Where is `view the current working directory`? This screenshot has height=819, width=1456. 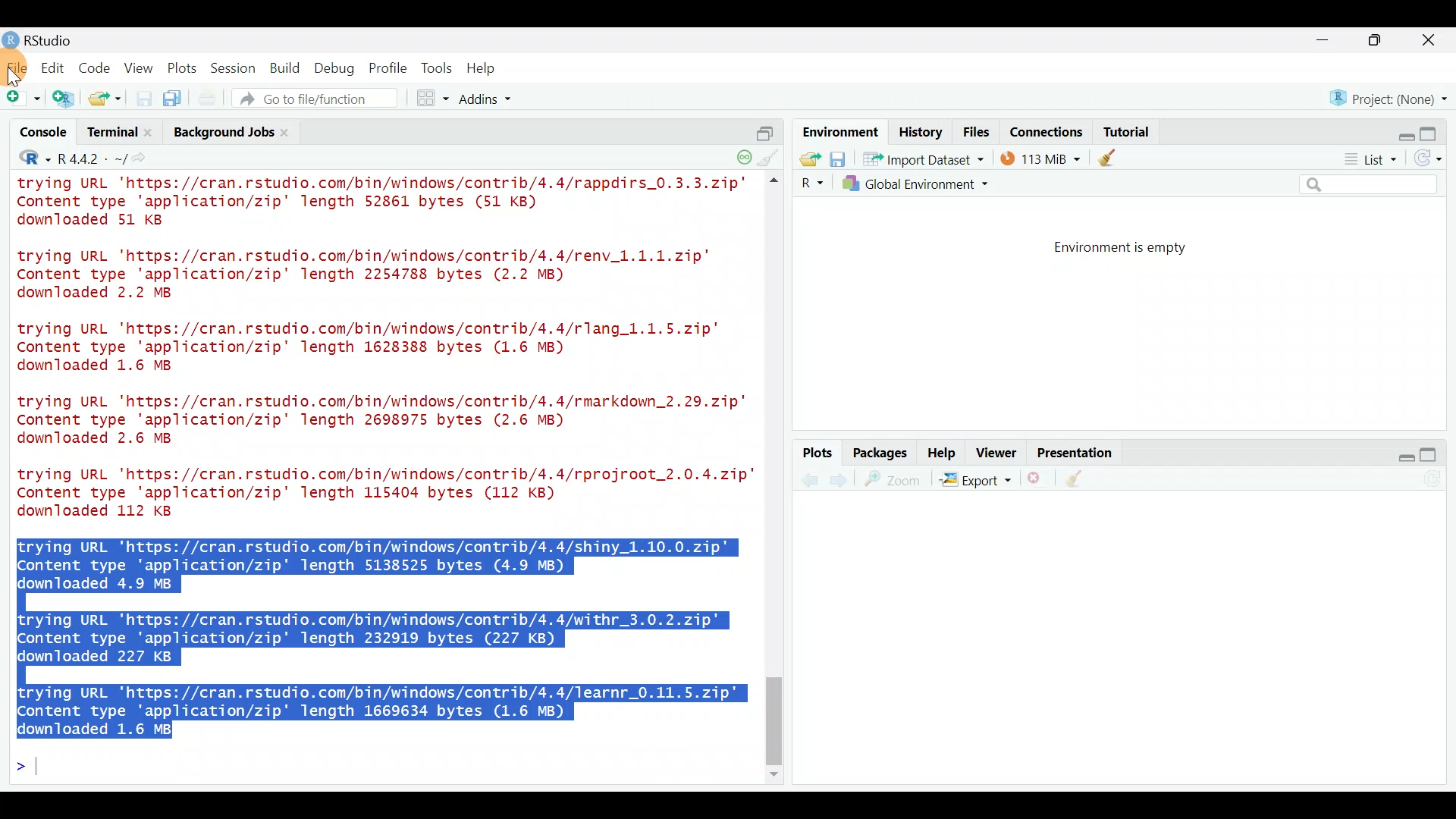 view the current working directory is located at coordinates (145, 158).